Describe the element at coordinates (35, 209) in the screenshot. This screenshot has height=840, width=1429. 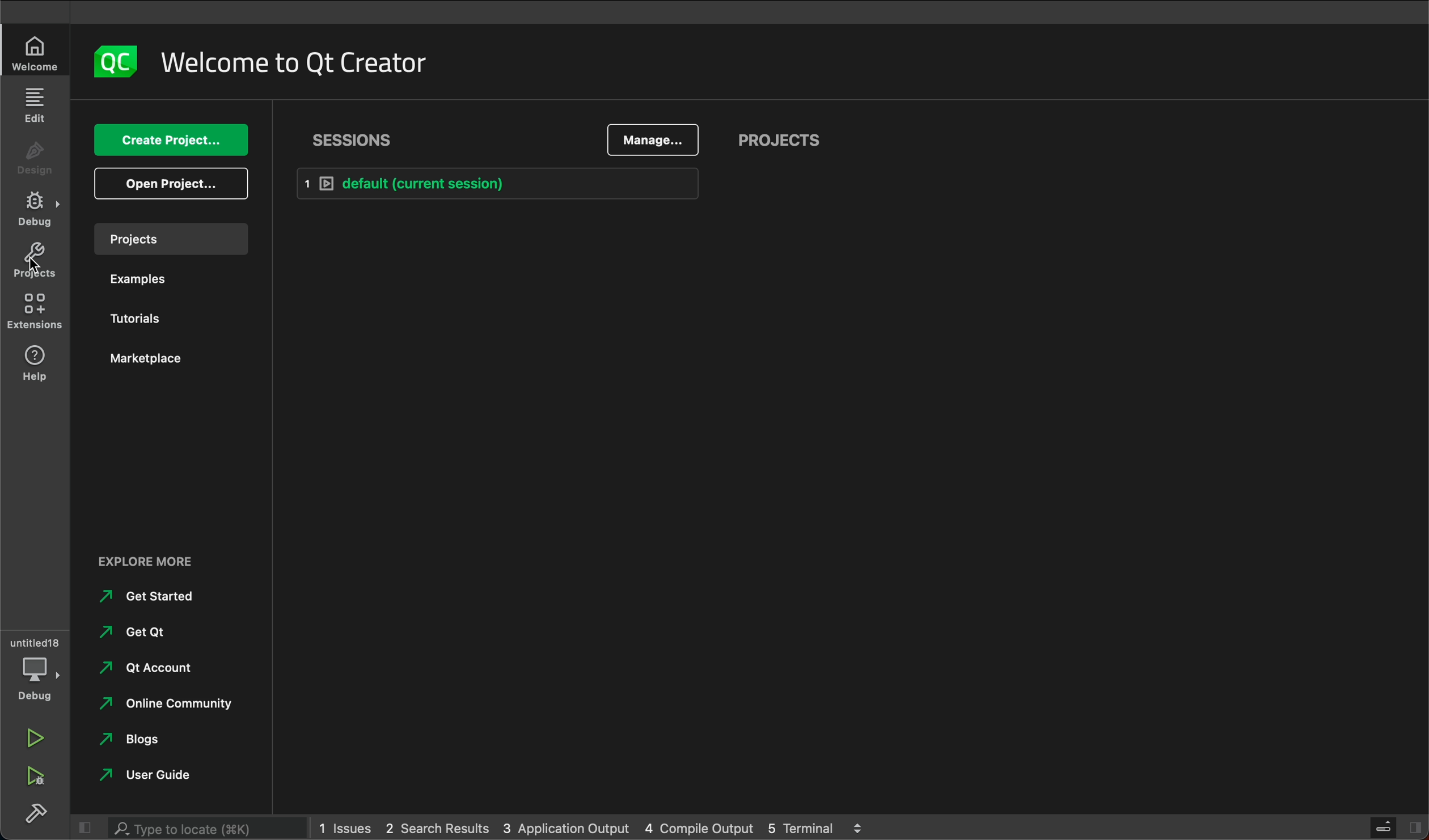
I see `debug` at that location.